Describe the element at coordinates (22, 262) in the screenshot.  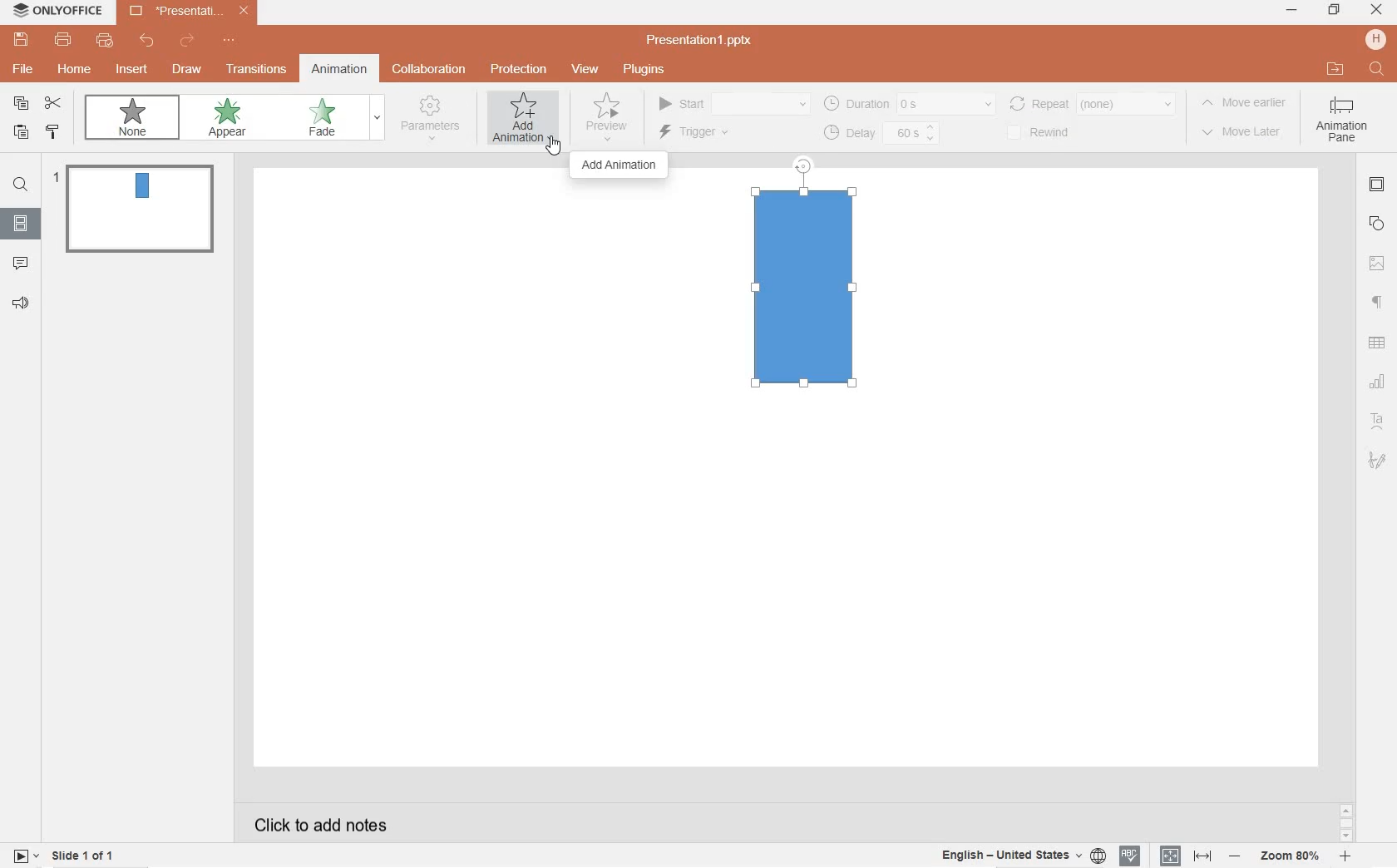
I see `comments` at that location.